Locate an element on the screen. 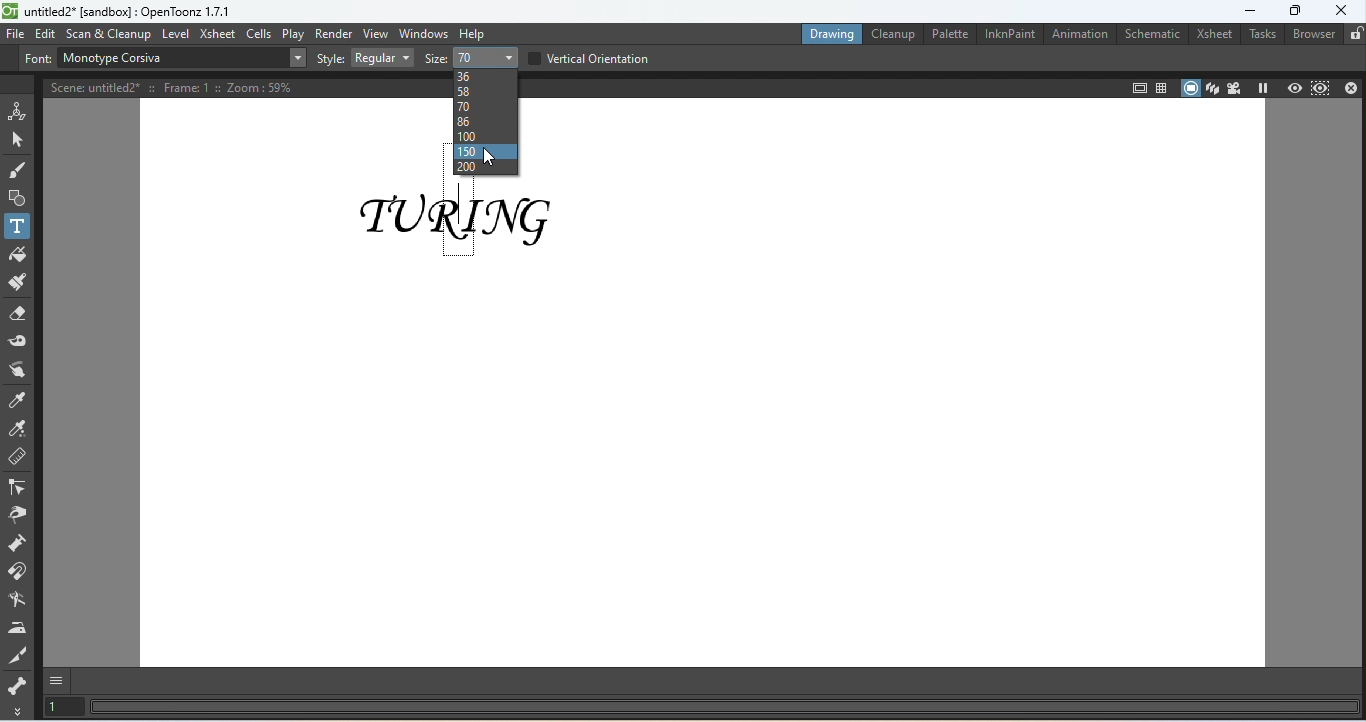 This screenshot has width=1366, height=722. Help is located at coordinates (475, 33).